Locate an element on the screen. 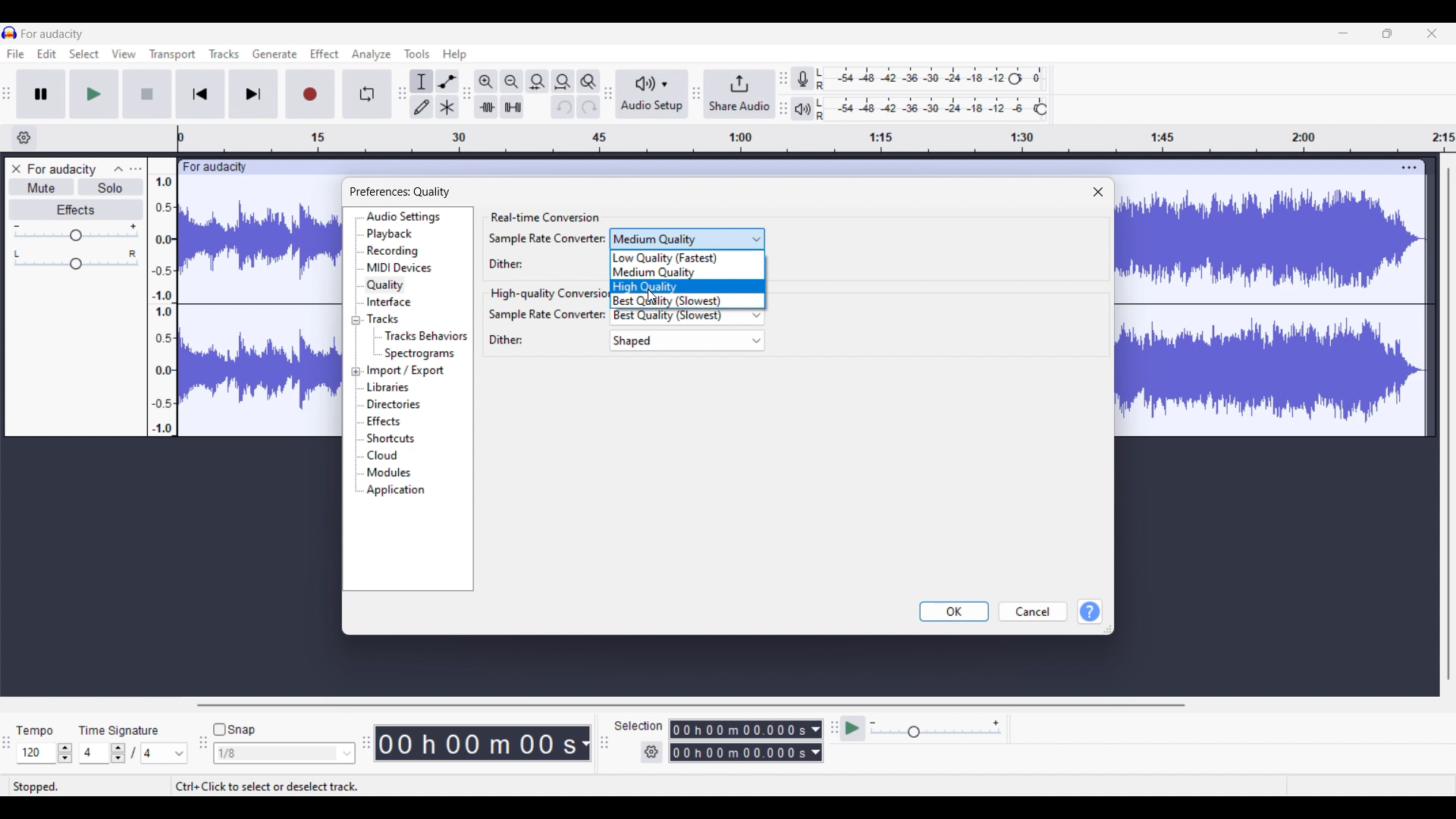  Section title is located at coordinates (549, 294).